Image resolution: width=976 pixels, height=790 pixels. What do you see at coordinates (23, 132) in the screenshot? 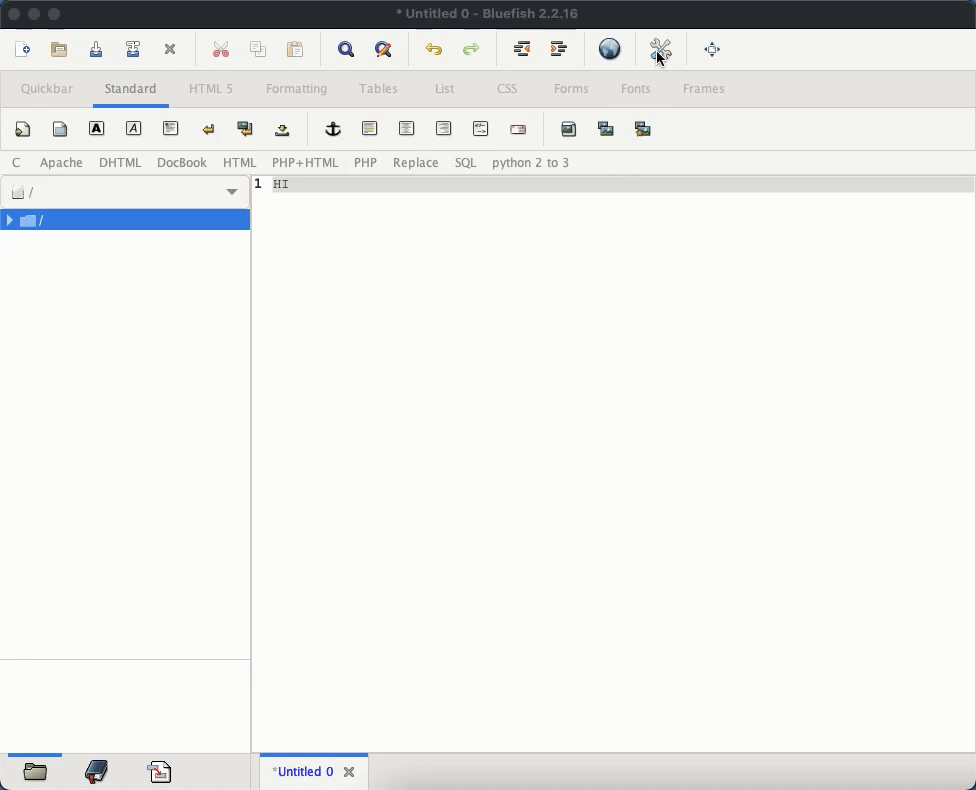
I see `Quickstart` at bounding box center [23, 132].